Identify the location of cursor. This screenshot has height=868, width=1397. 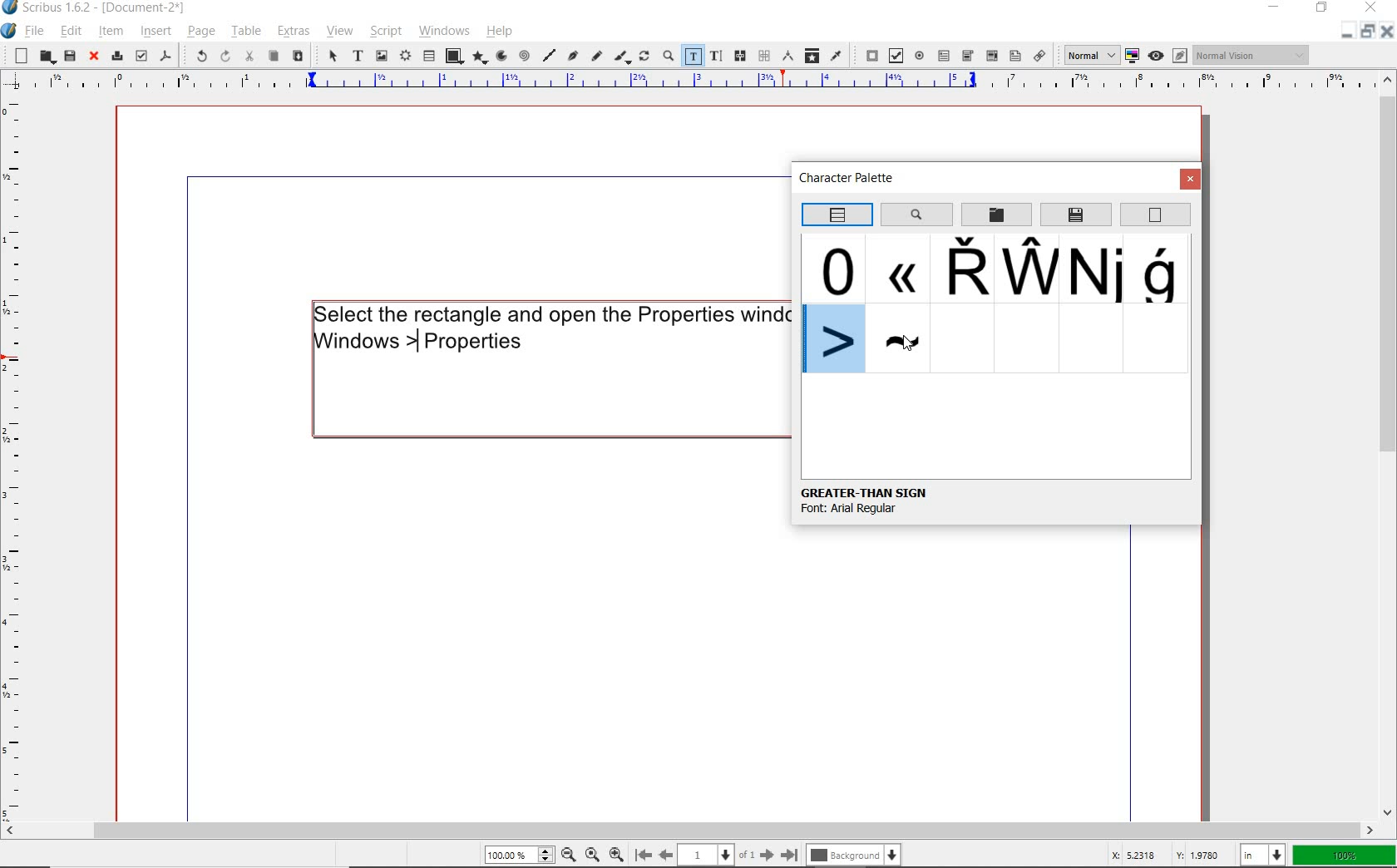
(906, 342).